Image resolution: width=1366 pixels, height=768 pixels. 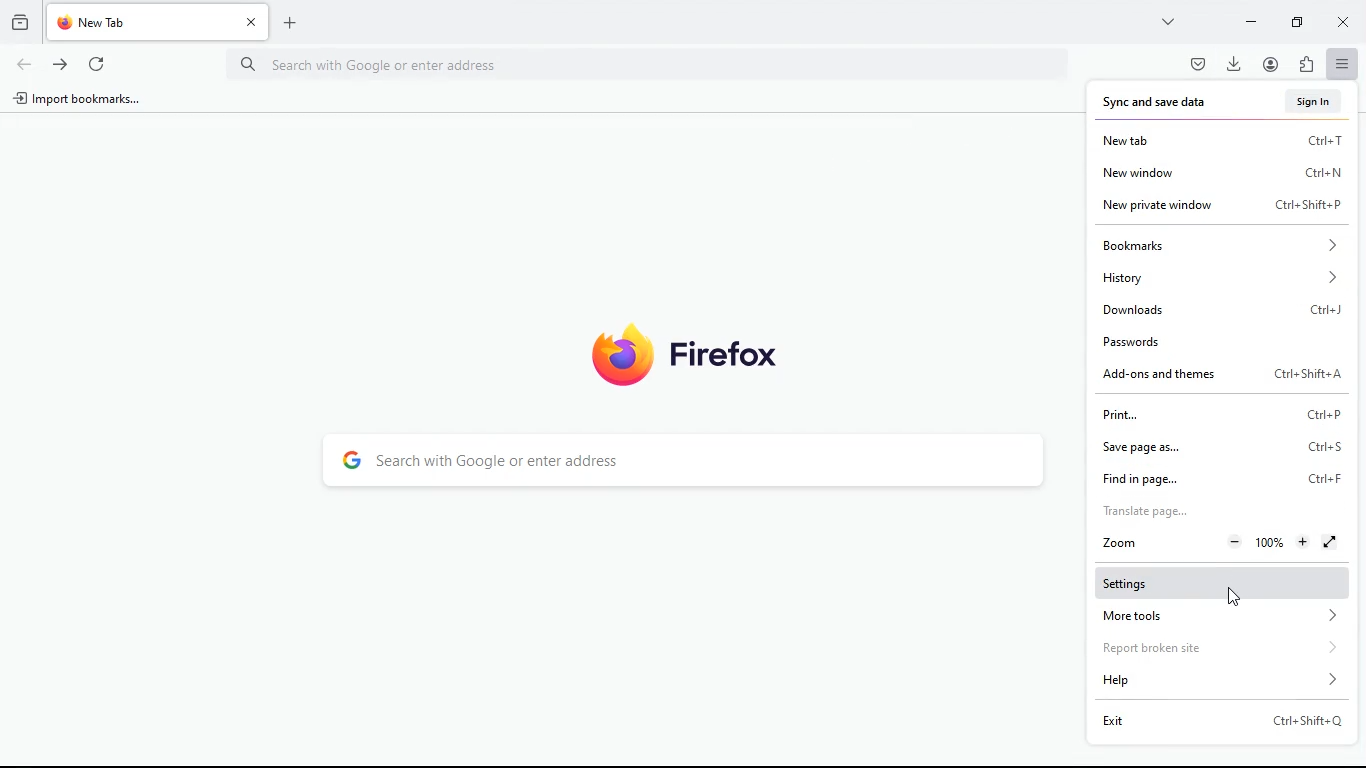 What do you see at coordinates (1171, 21) in the screenshot?
I see `more` at bounding box center [1171, 21].